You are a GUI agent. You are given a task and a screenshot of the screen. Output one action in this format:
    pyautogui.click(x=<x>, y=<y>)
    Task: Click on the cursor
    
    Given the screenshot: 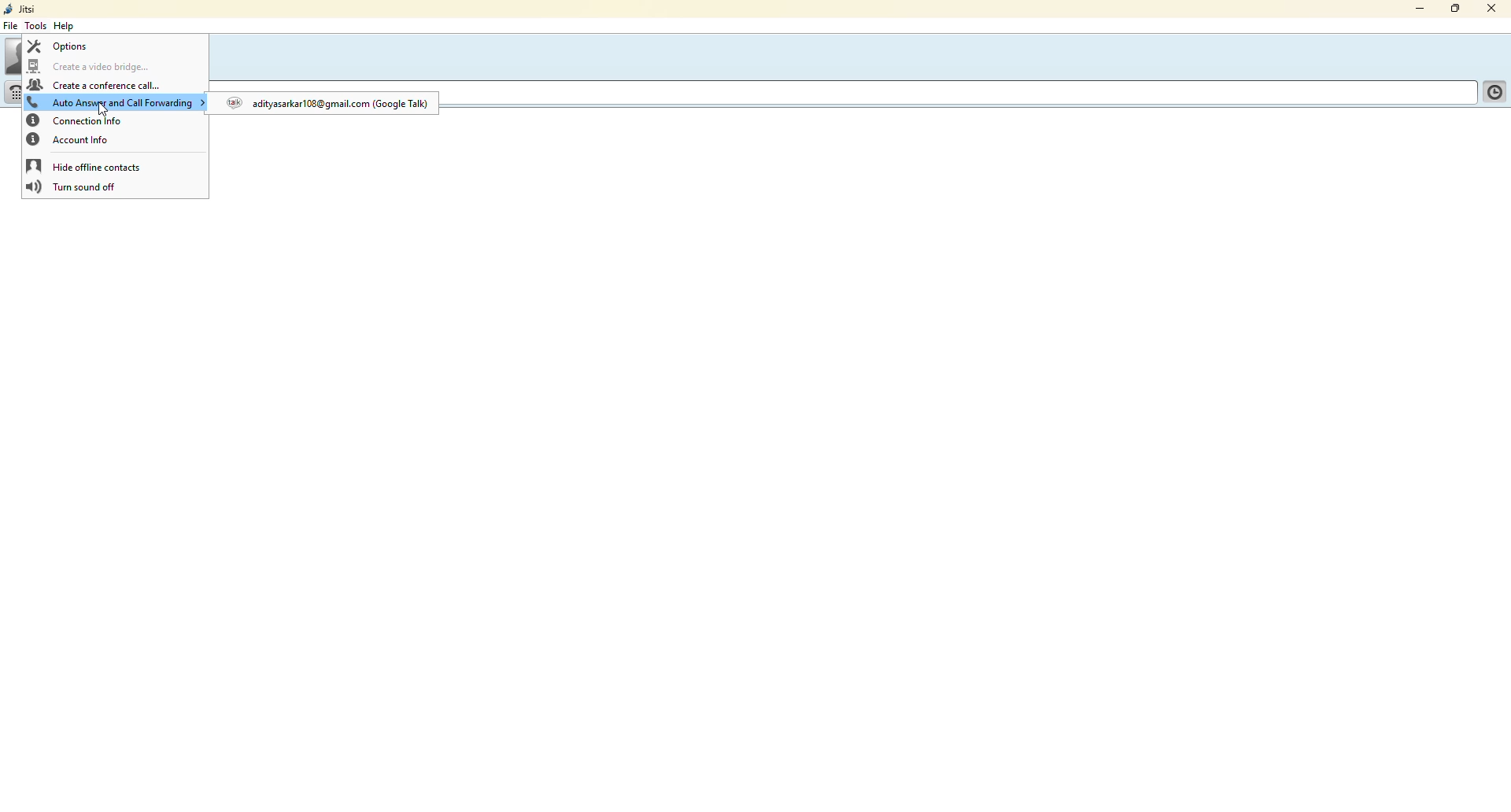 What is the action you would take?
    pyautogui.click(x=99, y=108)
    